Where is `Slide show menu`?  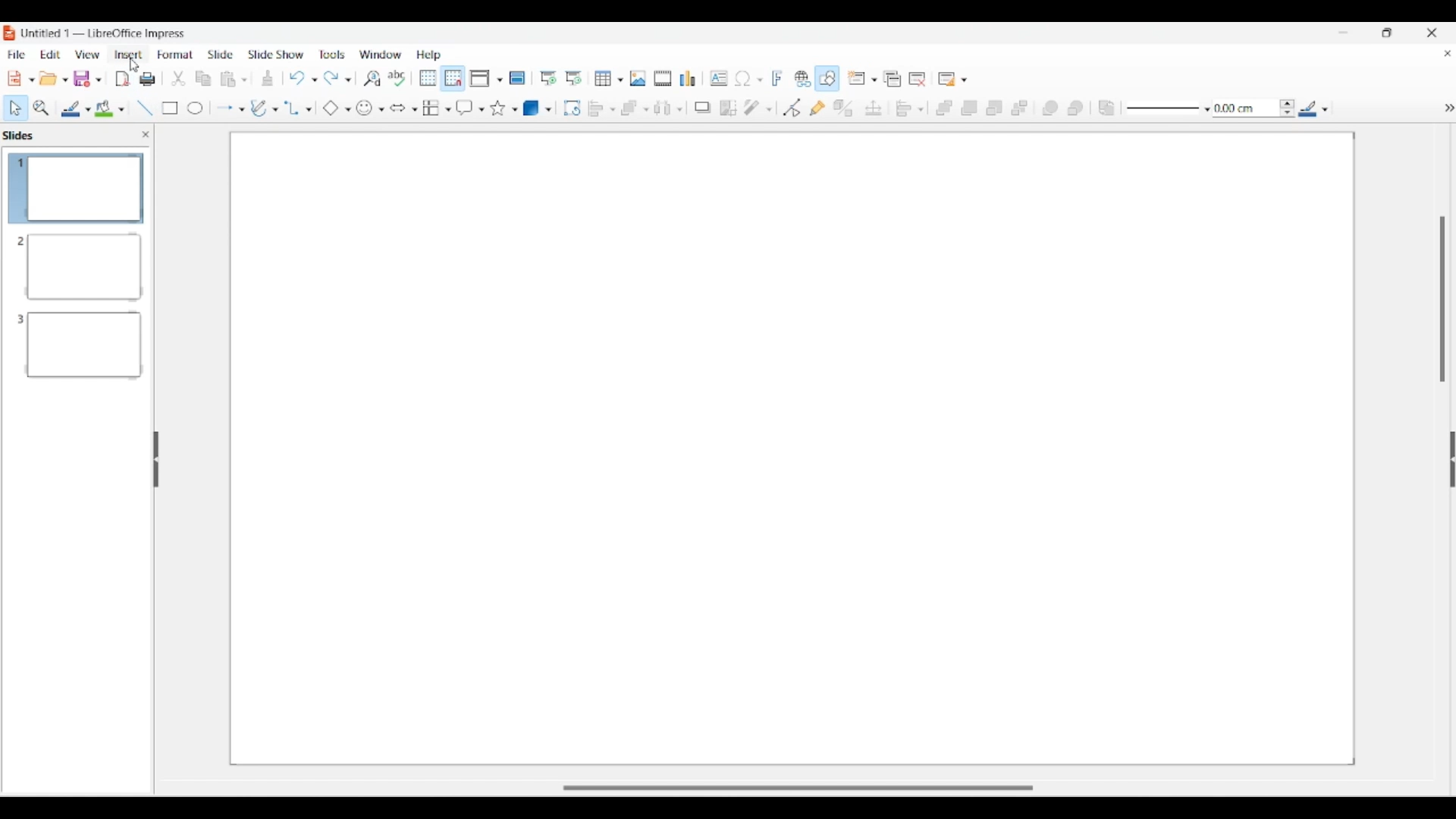
Slide show menu is located at coordinates (275, 55).